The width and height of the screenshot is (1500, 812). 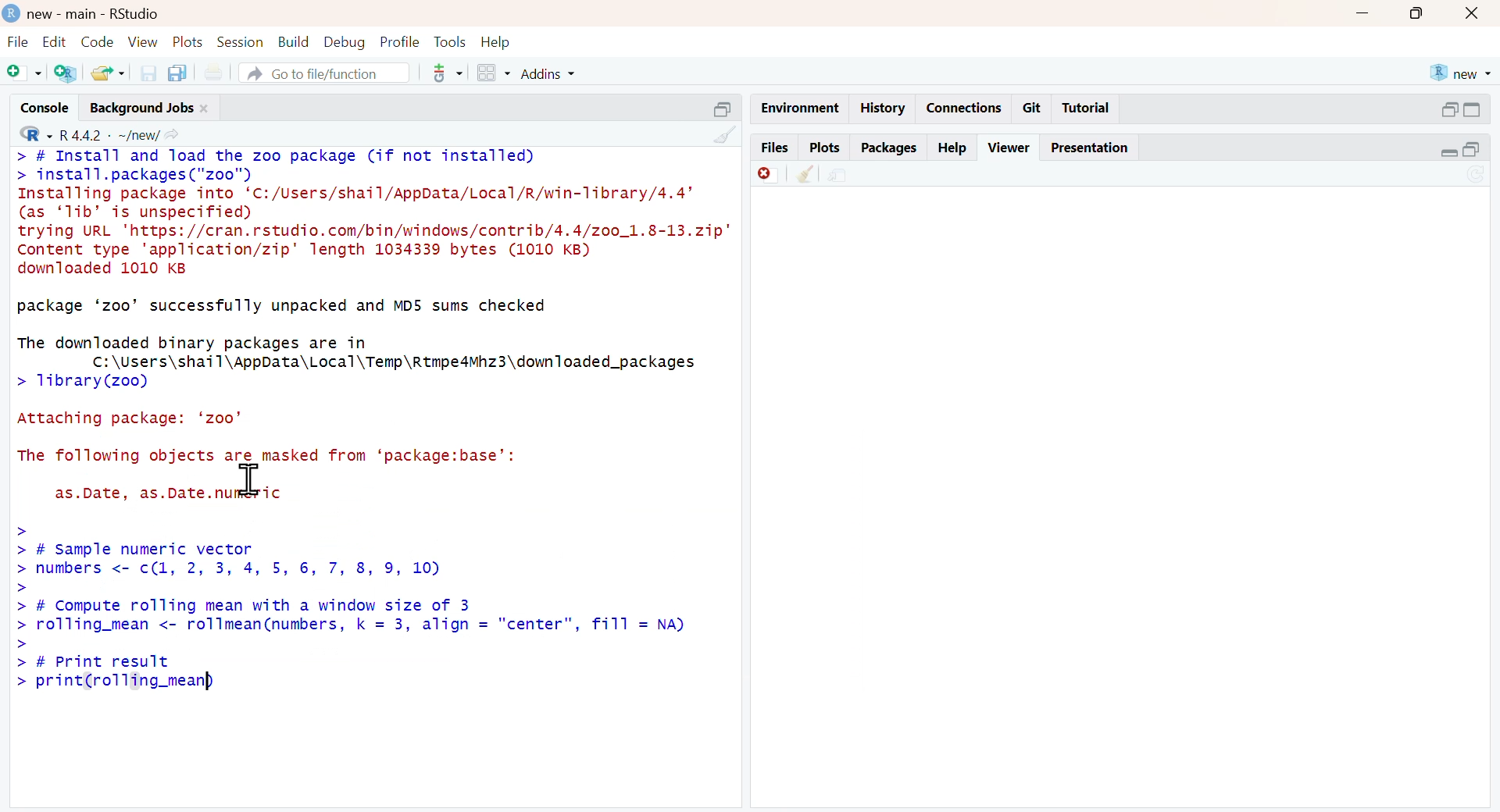 What do you see at coordinates (1090, 148) in the screenshot?
I see `Presentation` at bounding box center [1090, 148].